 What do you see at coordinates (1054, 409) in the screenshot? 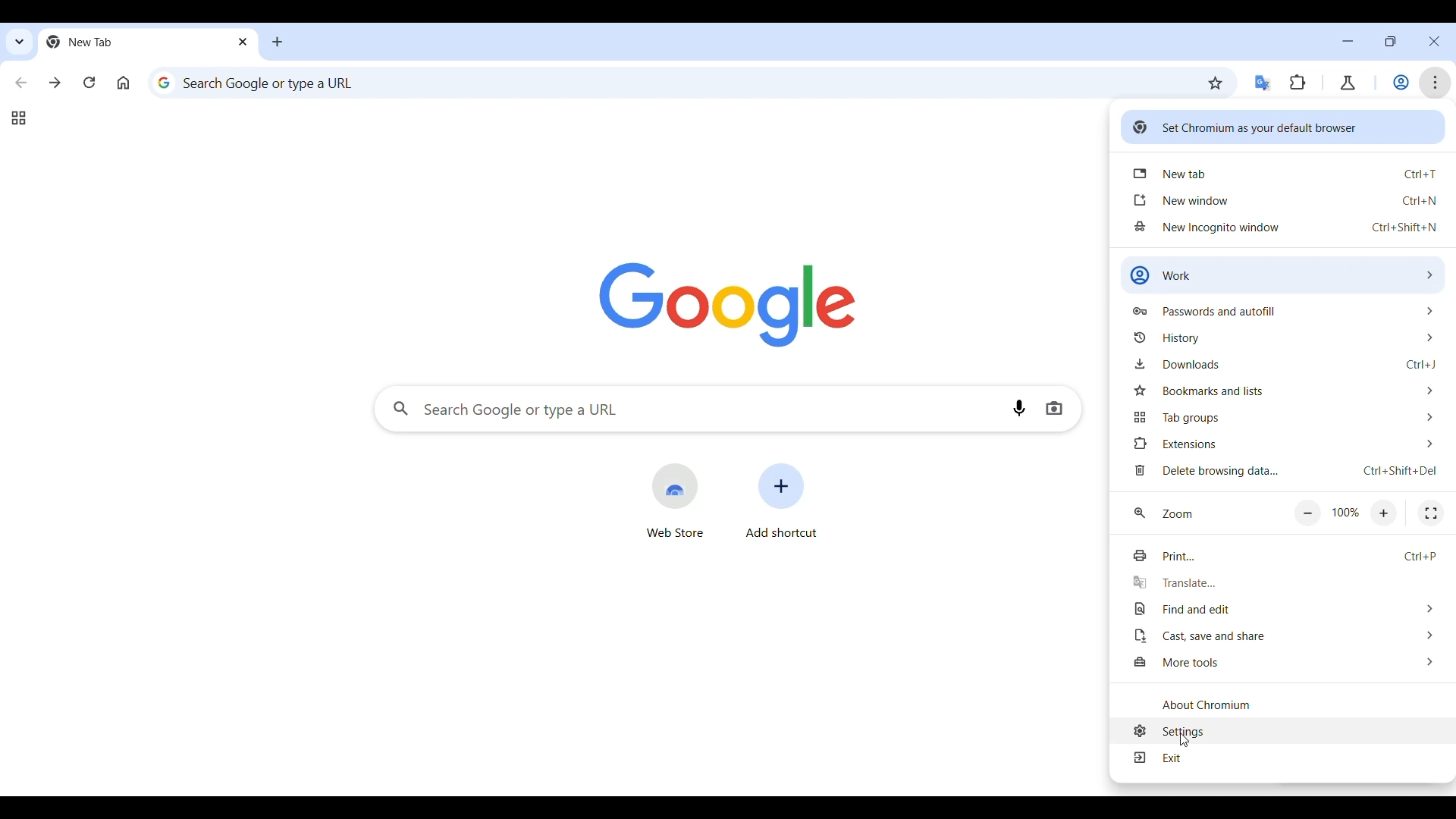
I see `Search by images` at bounding box center [1054, 409].